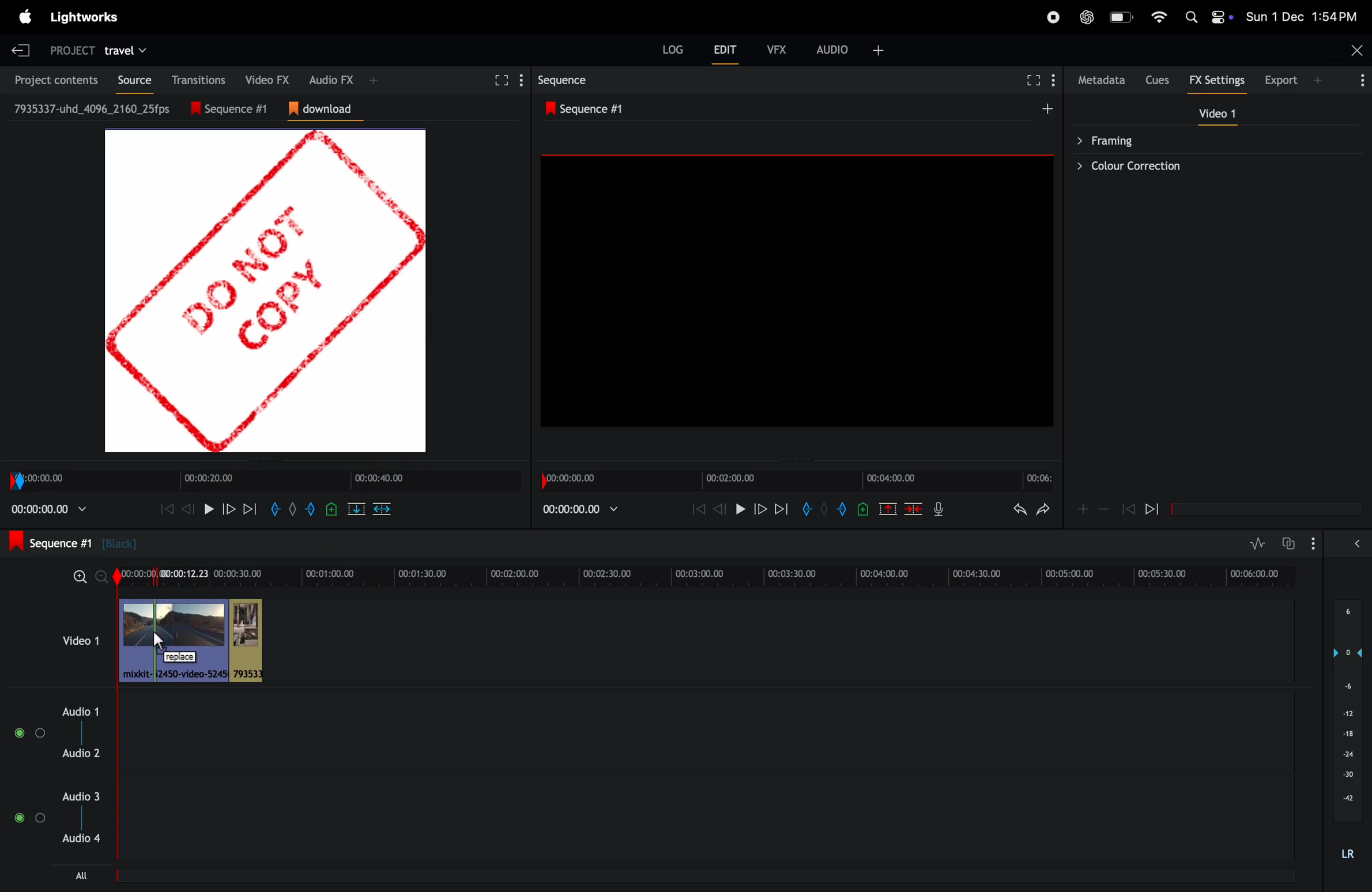 The width and height of the screenshot is (1372, 892). I want to click on rewind, so click(1152, 508).